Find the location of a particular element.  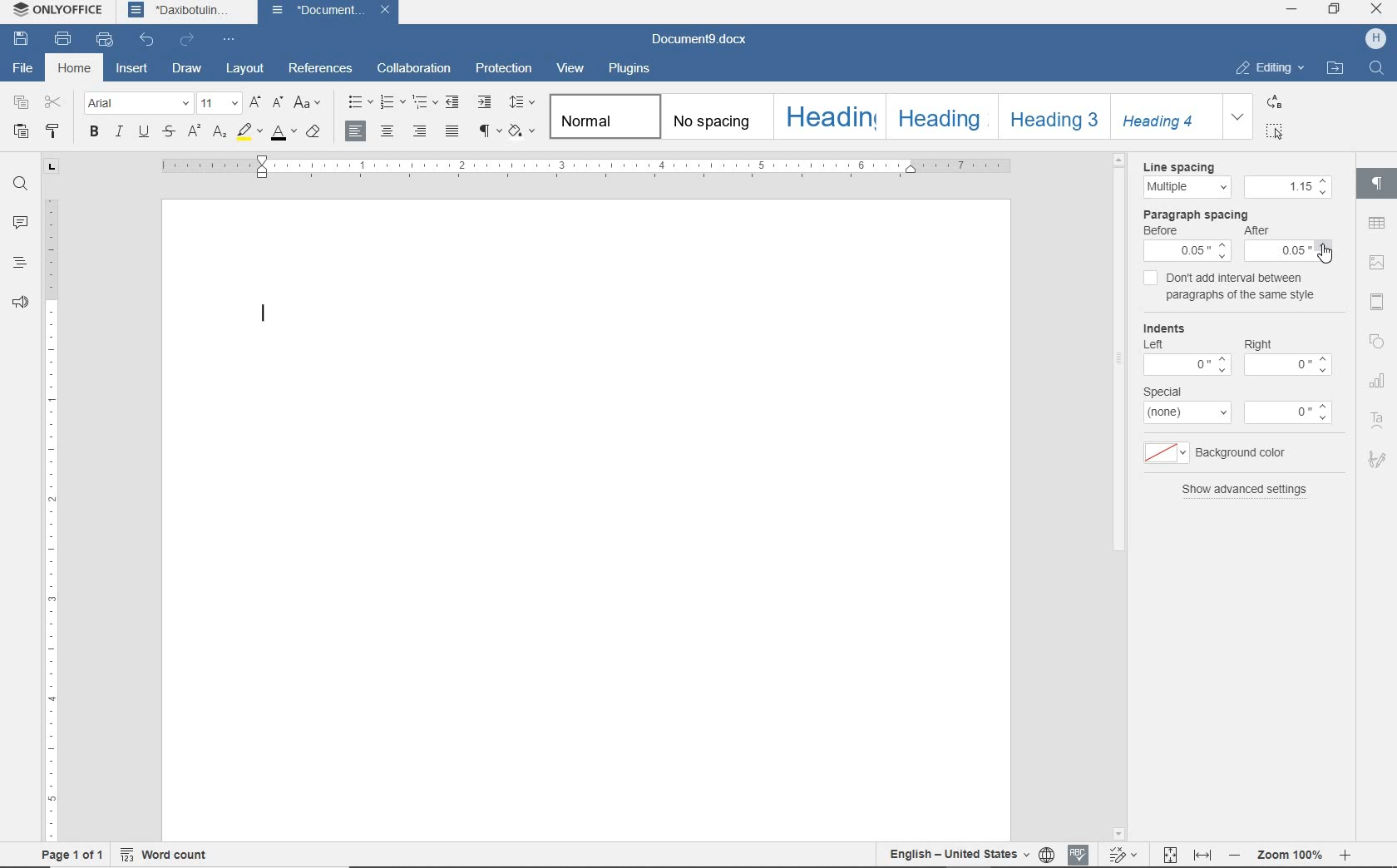

decrement font size is located at coordinates (279, 103).